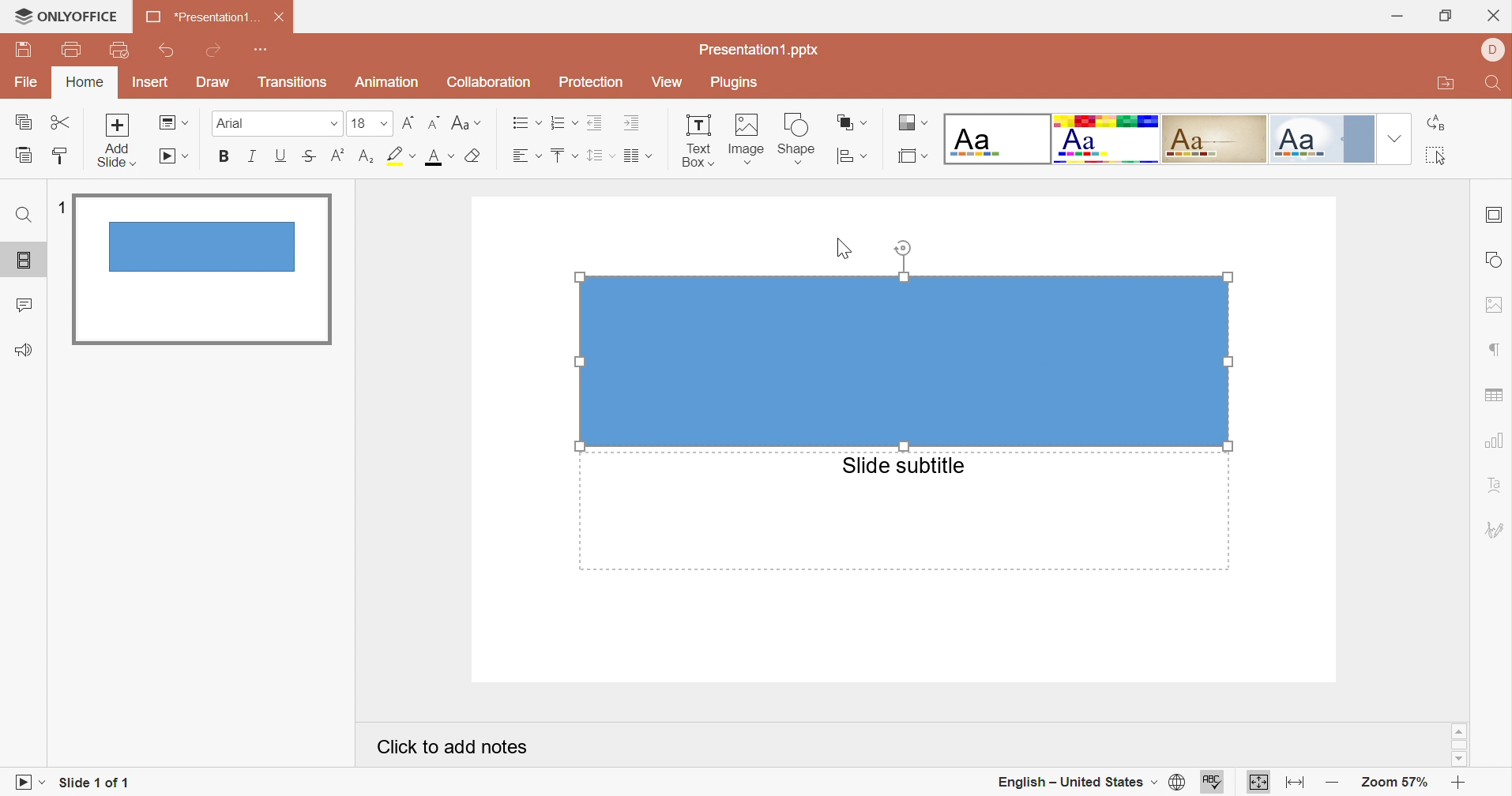 The width and height of the screenshot is (1512, 796). What do you see at coordinates (278, 157) in the screenshot?
I see `Underline` at bounding box center [278, 157].